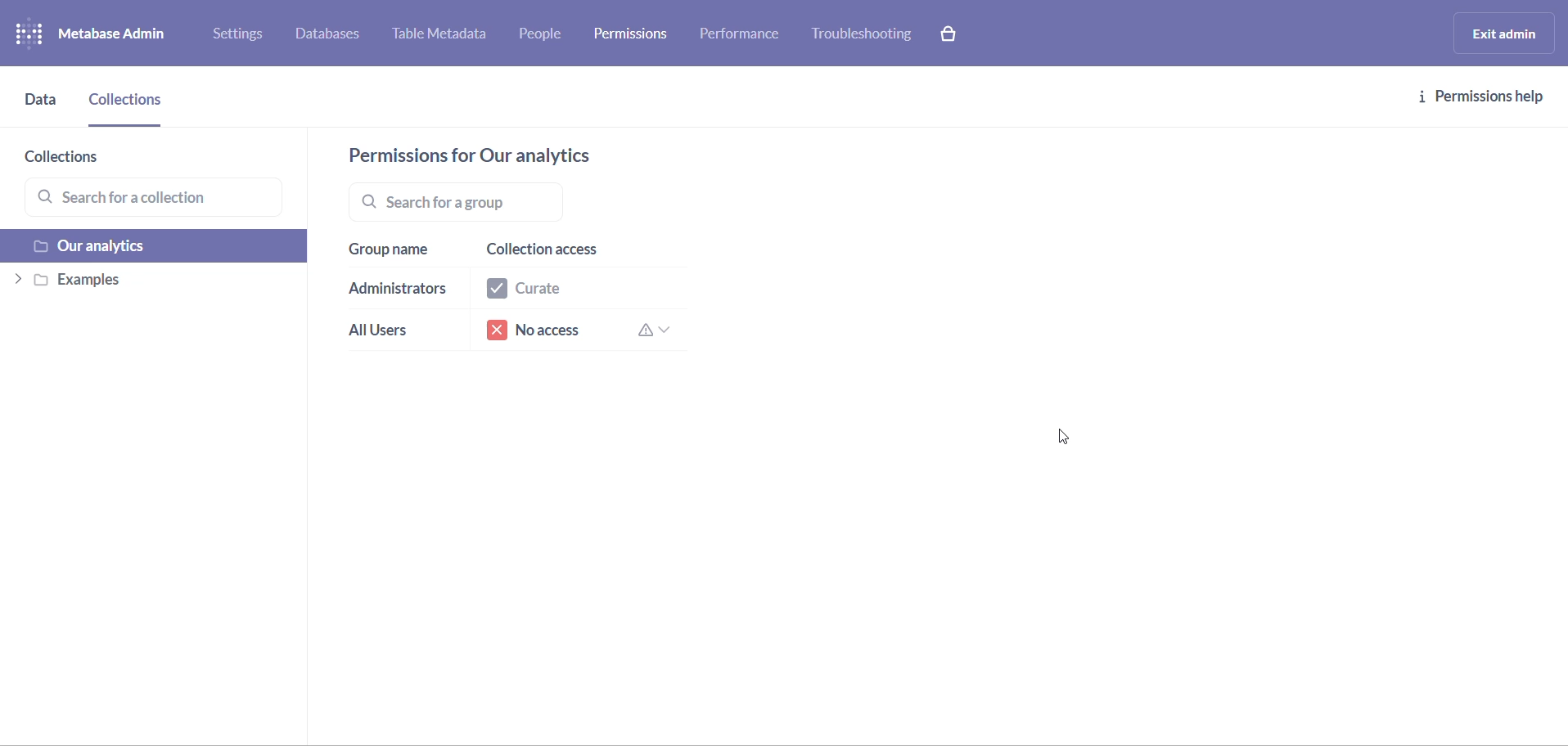 This screenshot has height=746, width=1568. I want to click on searchbar, so click(521, 201).